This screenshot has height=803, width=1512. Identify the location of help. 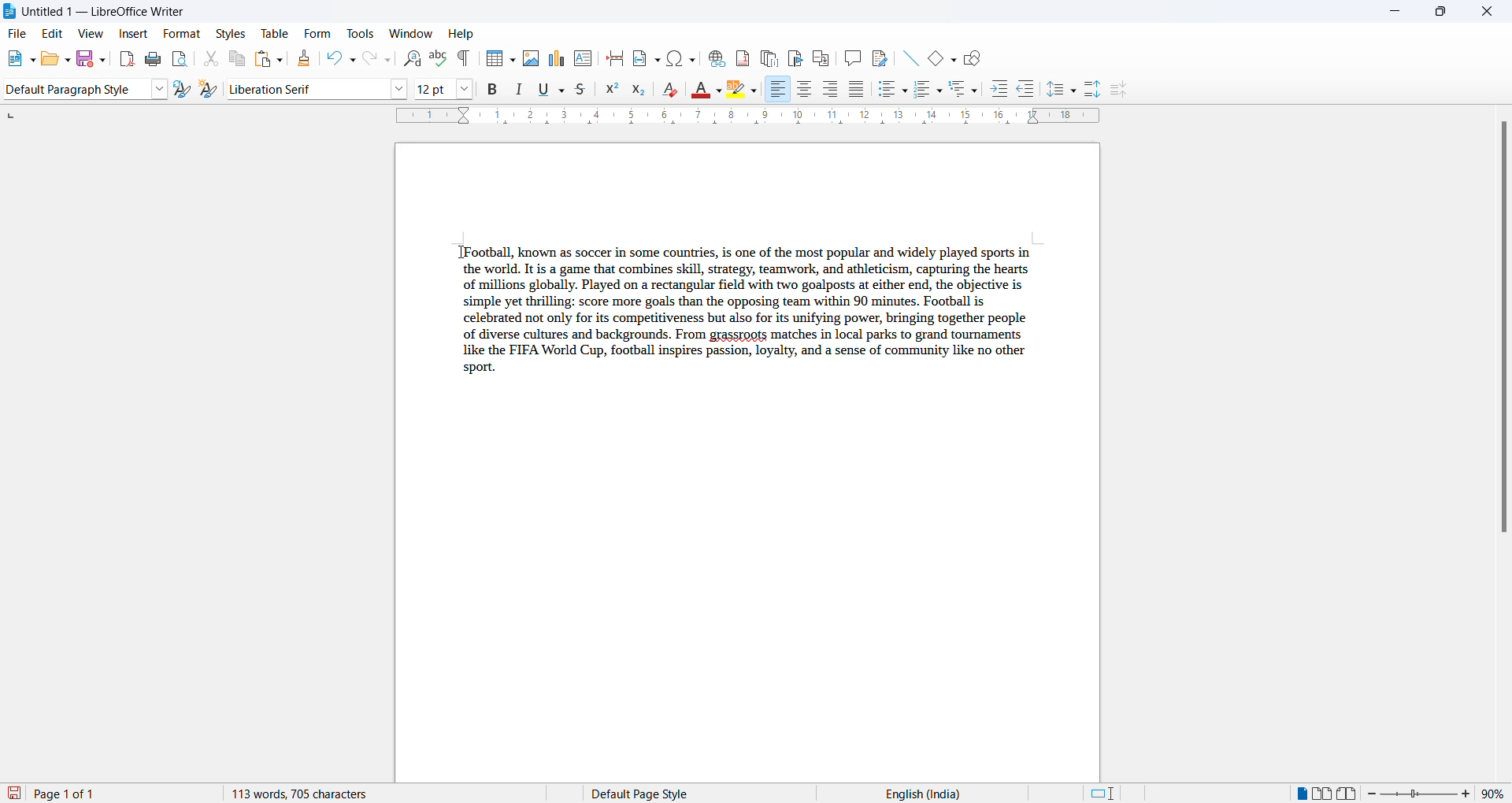
(461, 33).